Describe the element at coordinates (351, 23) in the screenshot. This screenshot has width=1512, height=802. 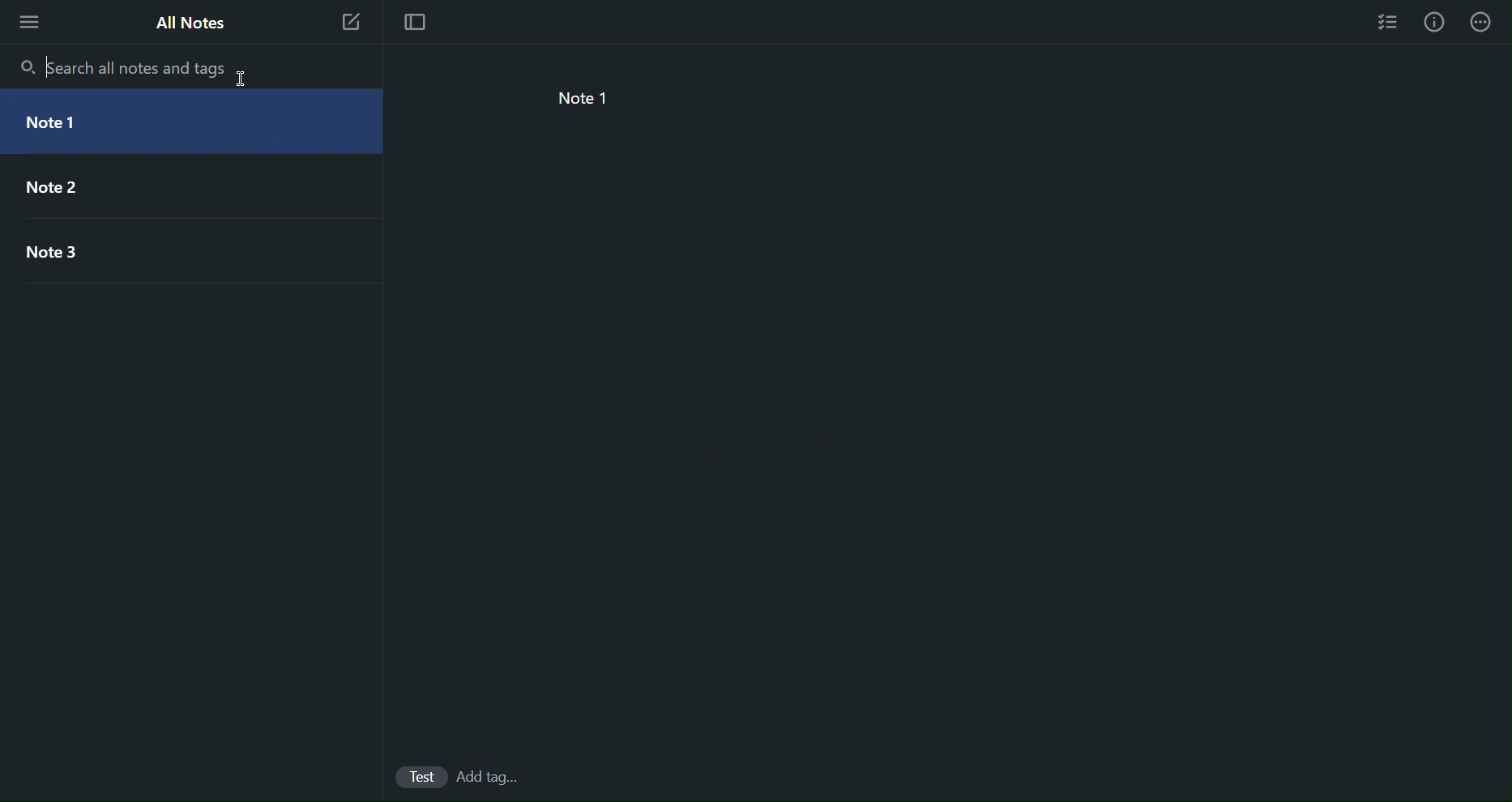
I see `New Note` at that location.